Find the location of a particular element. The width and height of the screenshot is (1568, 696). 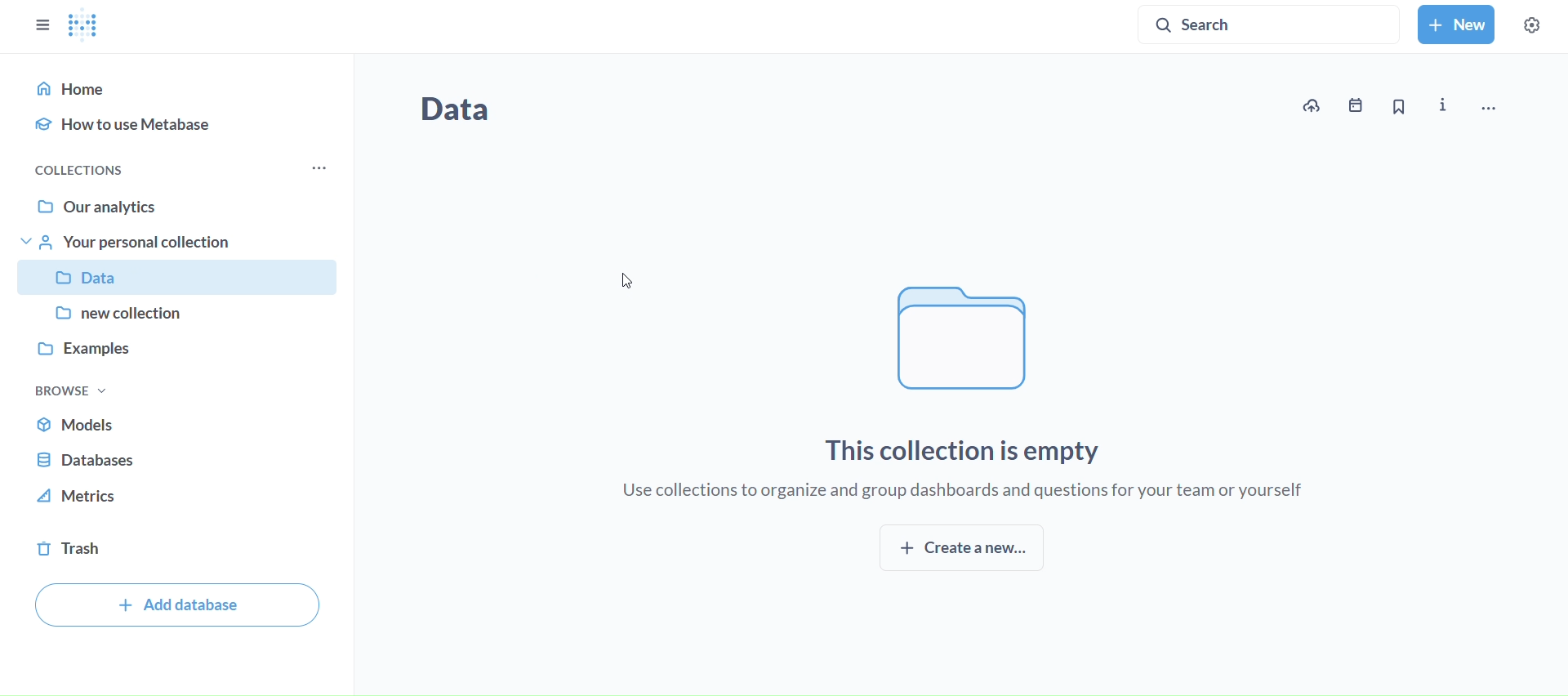

data is located at coordinates (462, 109).